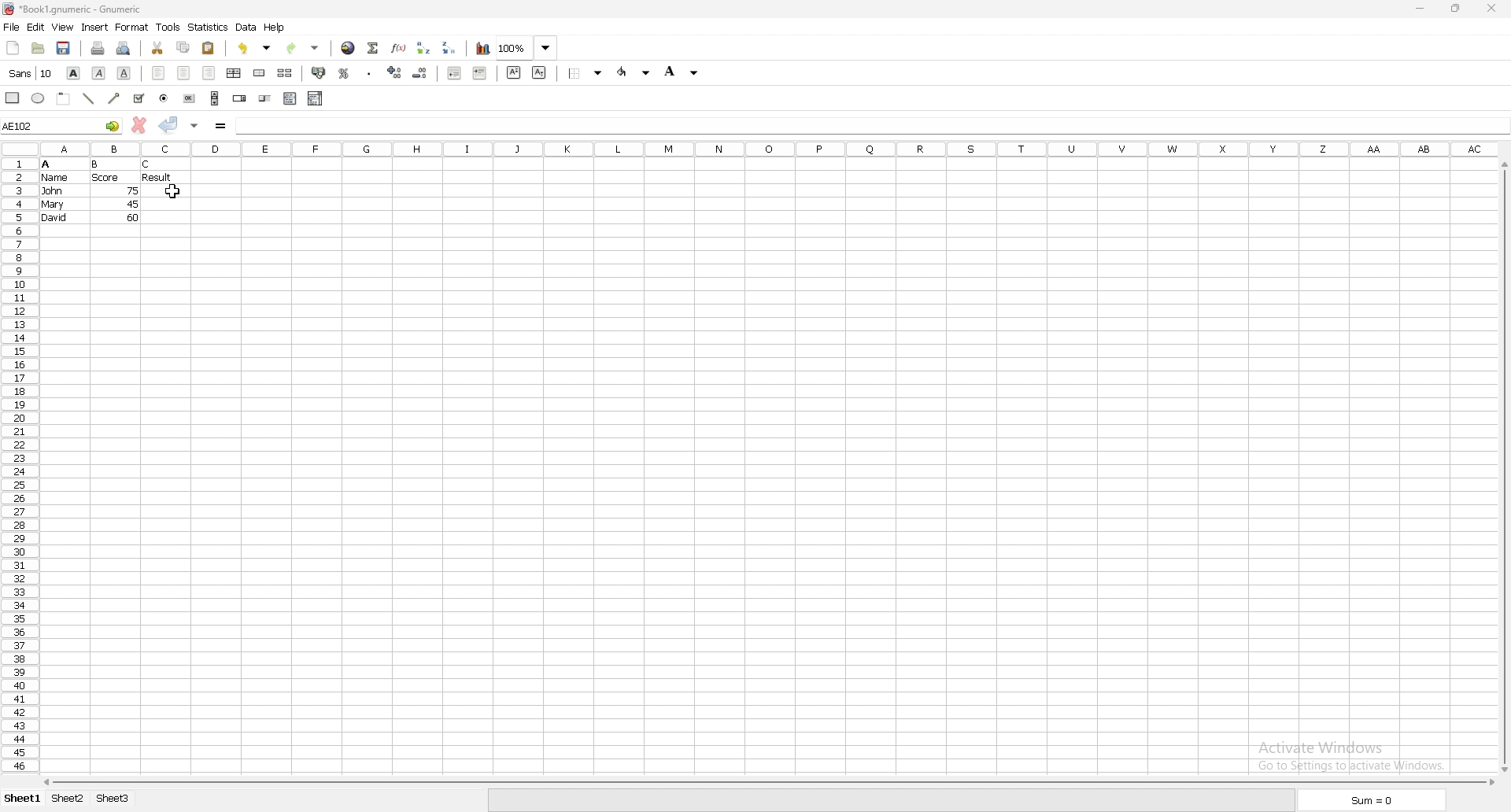 The height and width of the screenshot is (812, 1511). I want to click on paste, so click(209, 48).